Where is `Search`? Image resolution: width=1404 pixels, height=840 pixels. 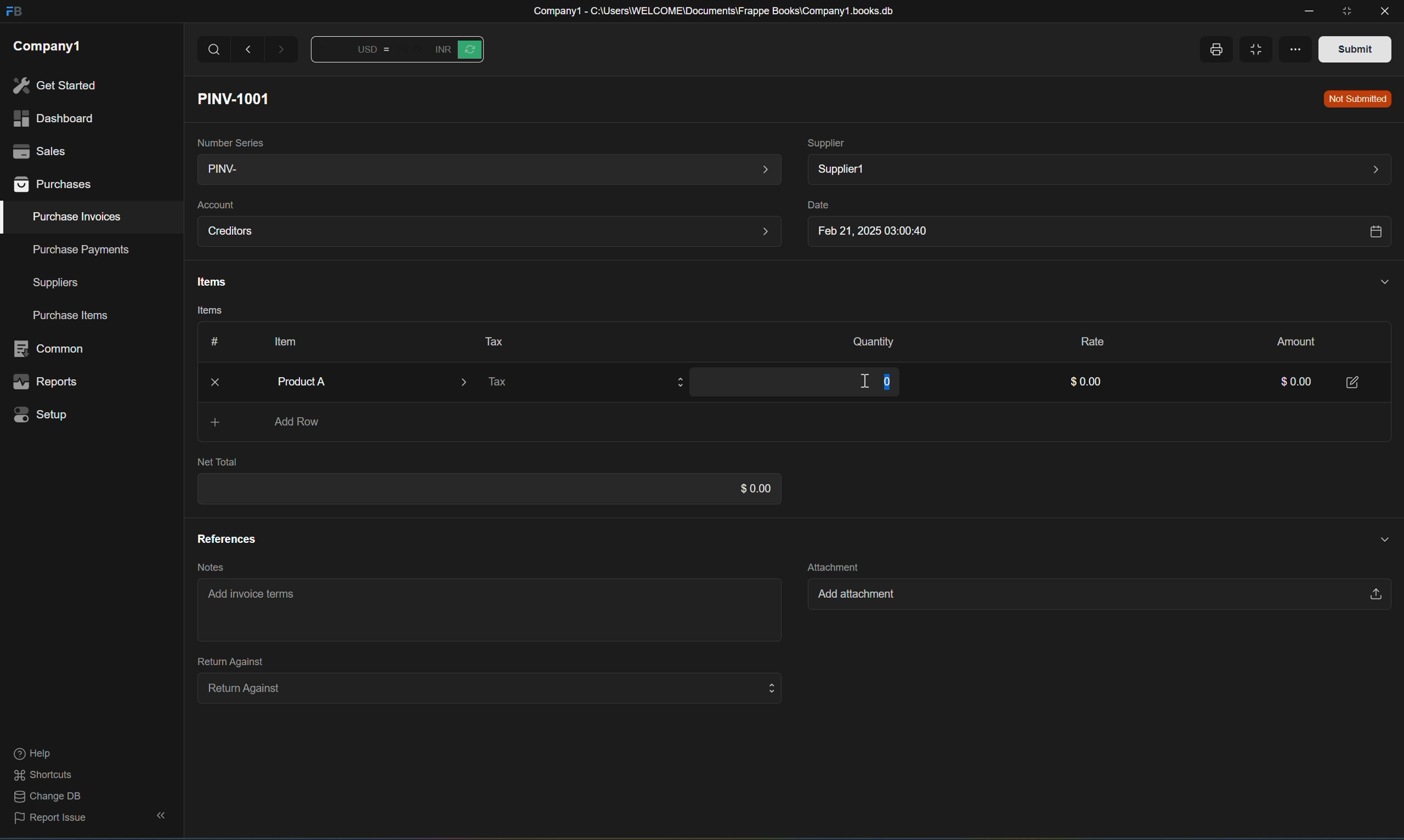
Search is located at coordinates (214, 50).